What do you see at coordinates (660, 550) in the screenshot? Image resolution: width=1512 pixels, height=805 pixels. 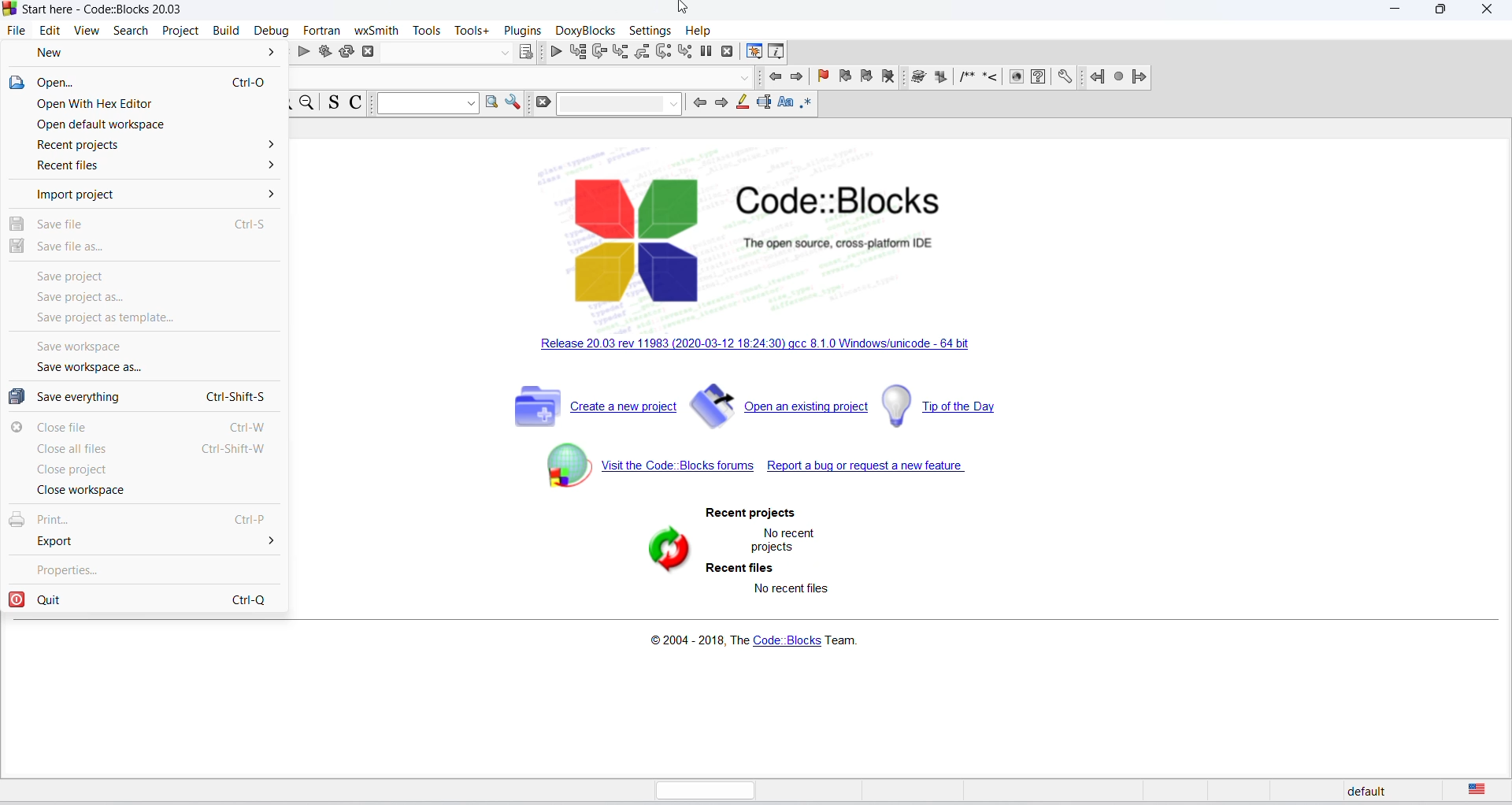 I see `refresh` at bounding box center [660, 550].